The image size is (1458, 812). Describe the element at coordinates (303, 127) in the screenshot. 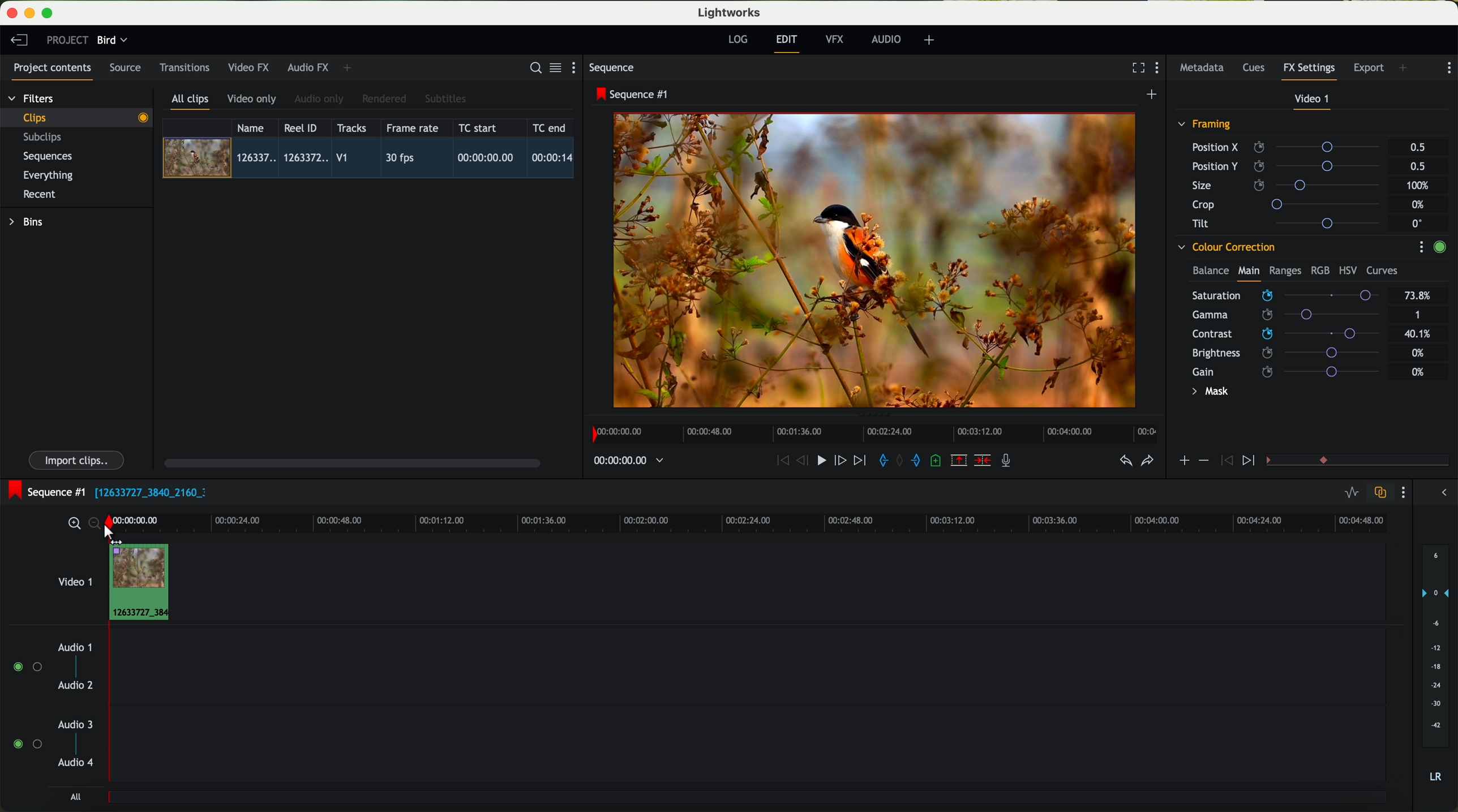

I see `Reel ID` at that location.